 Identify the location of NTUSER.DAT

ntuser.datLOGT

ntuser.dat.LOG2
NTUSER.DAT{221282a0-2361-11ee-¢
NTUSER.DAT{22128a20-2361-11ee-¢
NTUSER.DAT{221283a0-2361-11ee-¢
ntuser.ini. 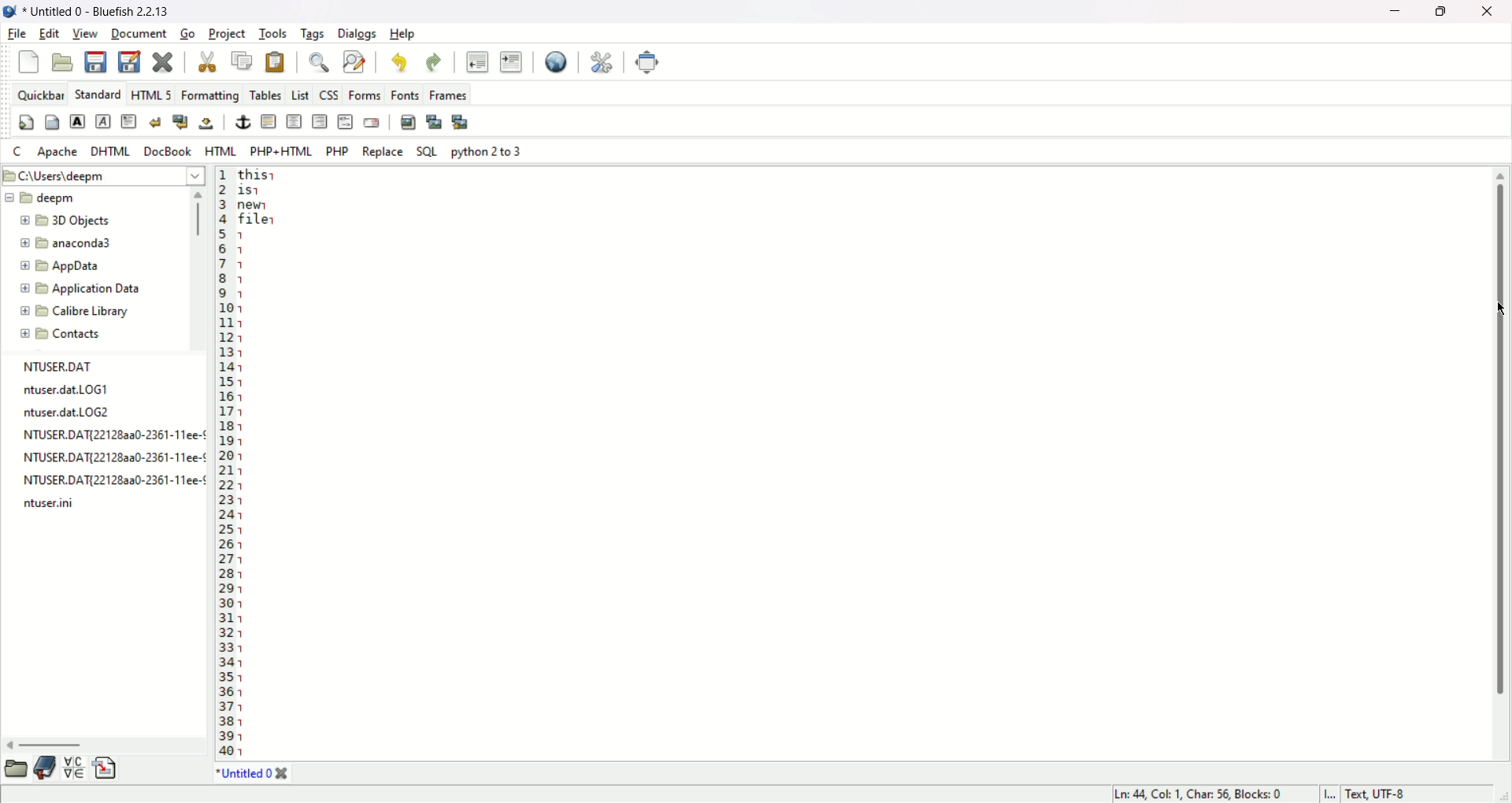
(111, 439).